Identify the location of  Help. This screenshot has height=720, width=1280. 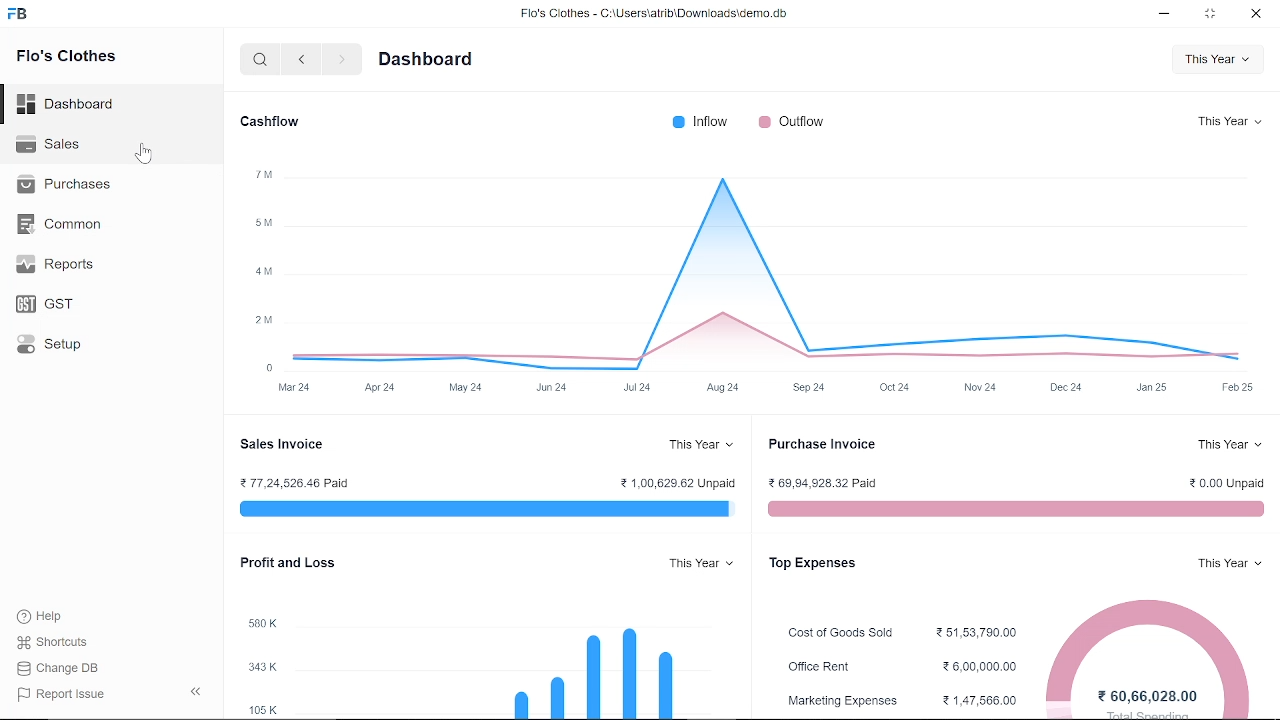
(40, 615).